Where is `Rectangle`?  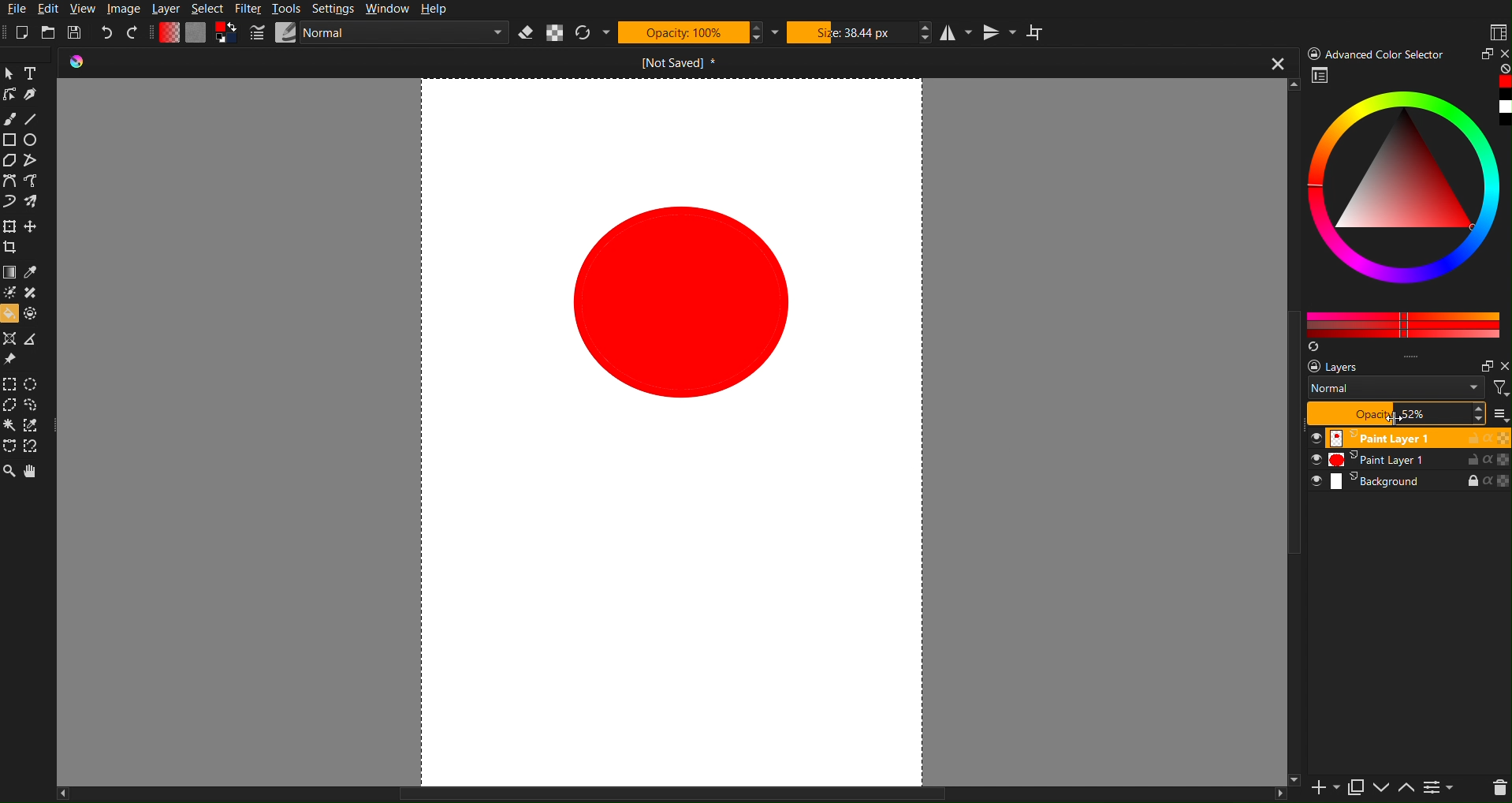 Rectangle is located at coordinates (9, 140).